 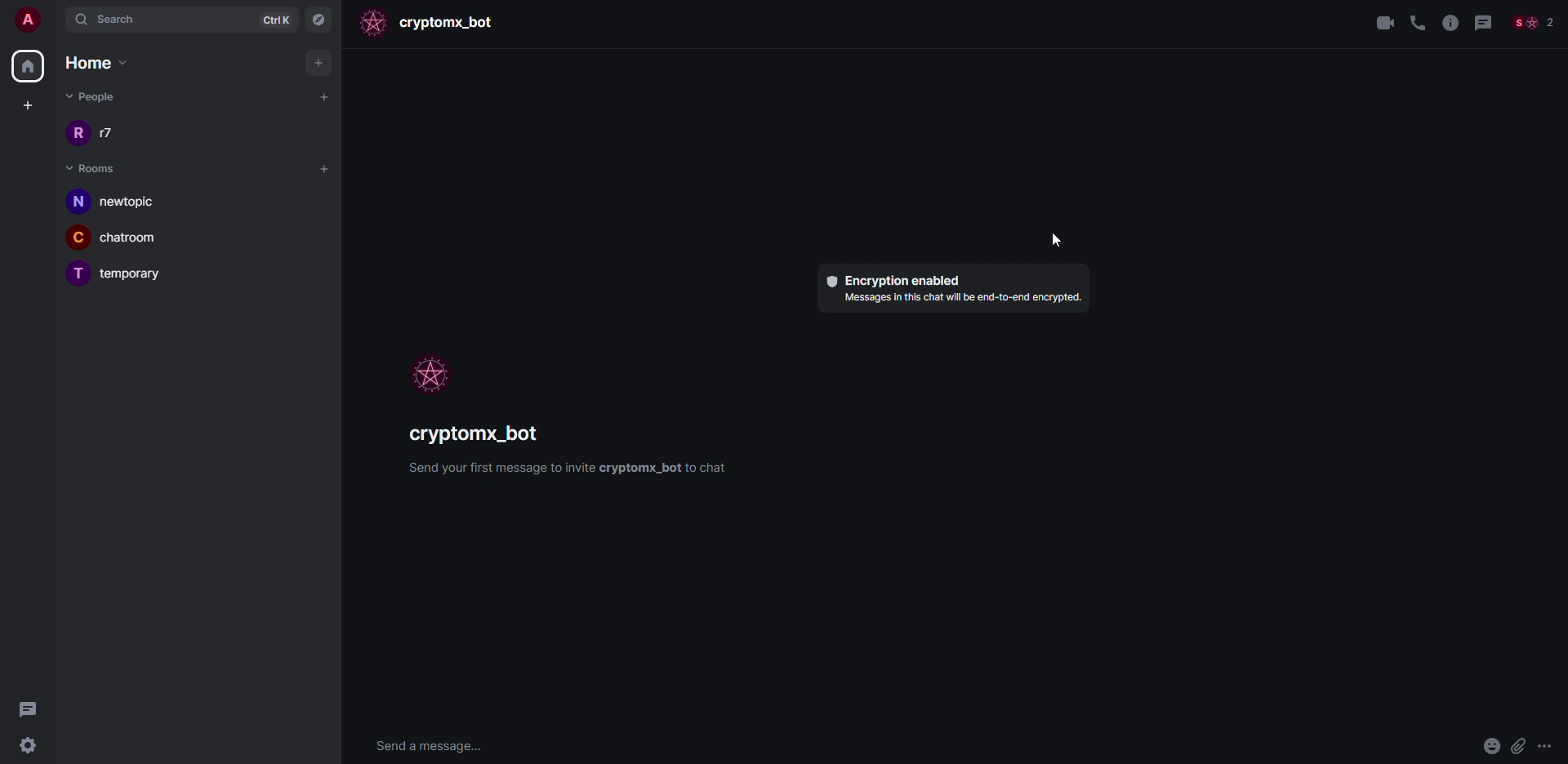 I want to click on T, so click(x=77, y=275).